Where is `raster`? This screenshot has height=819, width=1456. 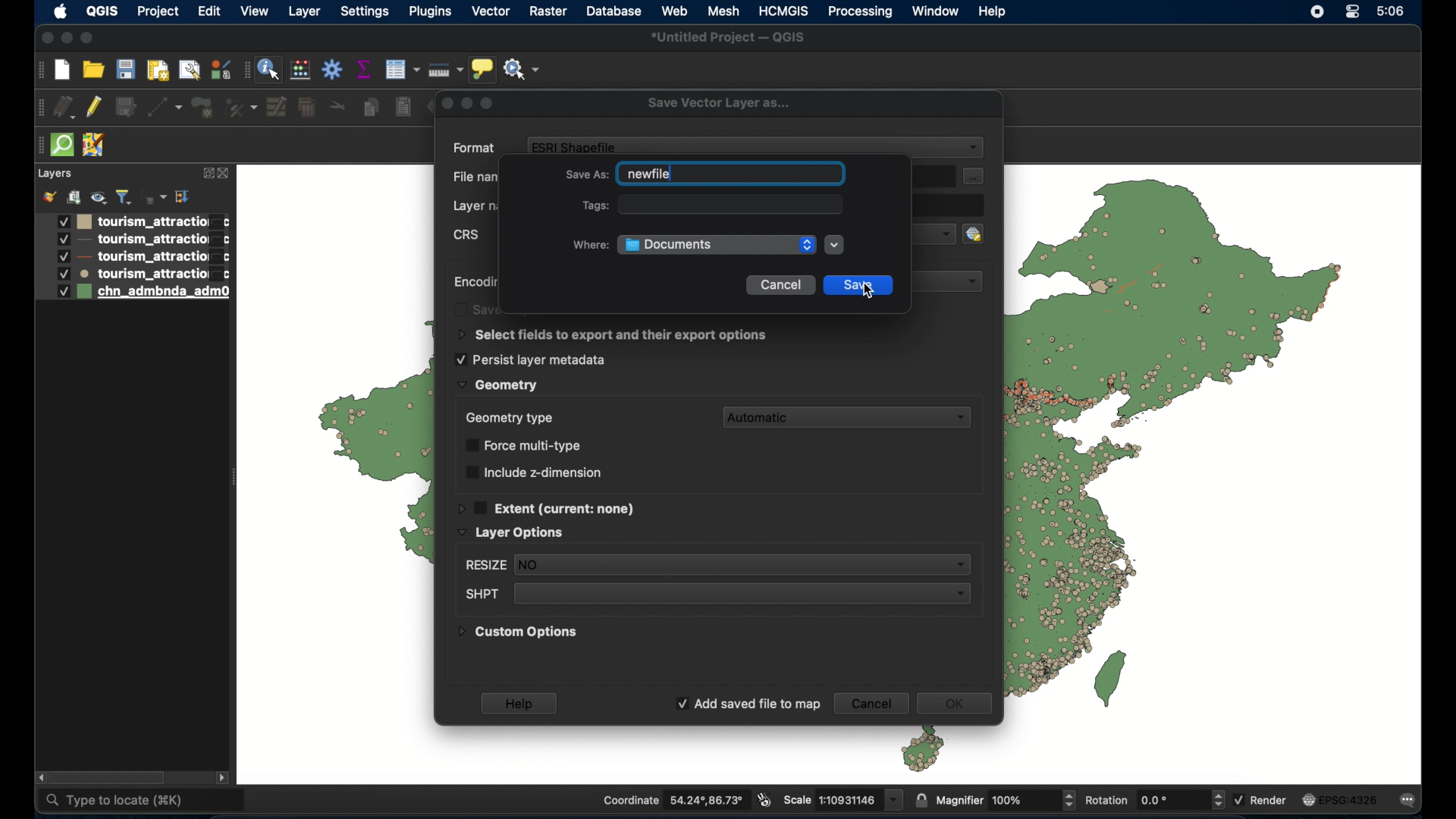 raster is located at coordinates (548, 11).